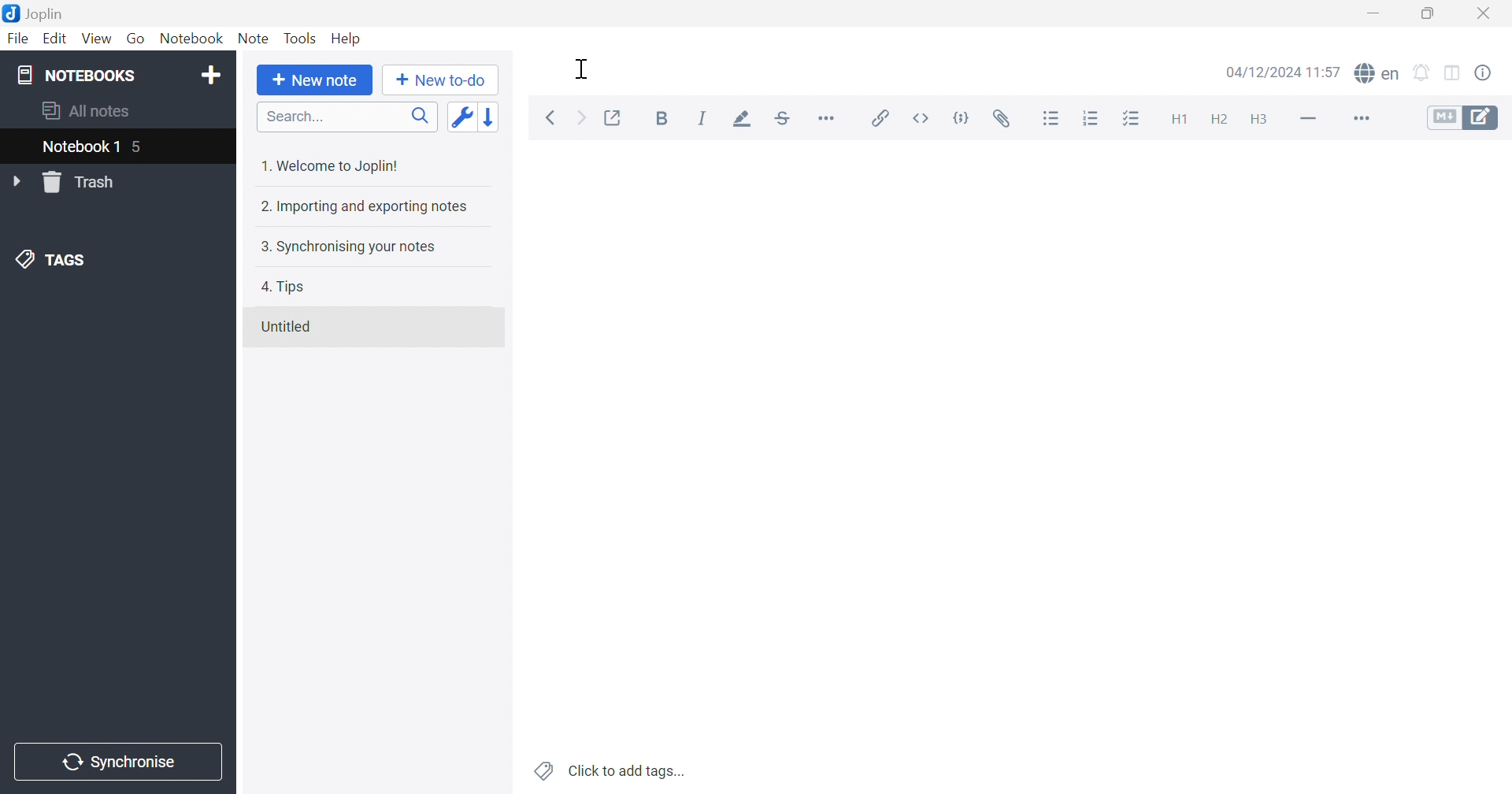 This screenshot has width=1512, height=794. I want to click on Highlight, so click(743, 121).